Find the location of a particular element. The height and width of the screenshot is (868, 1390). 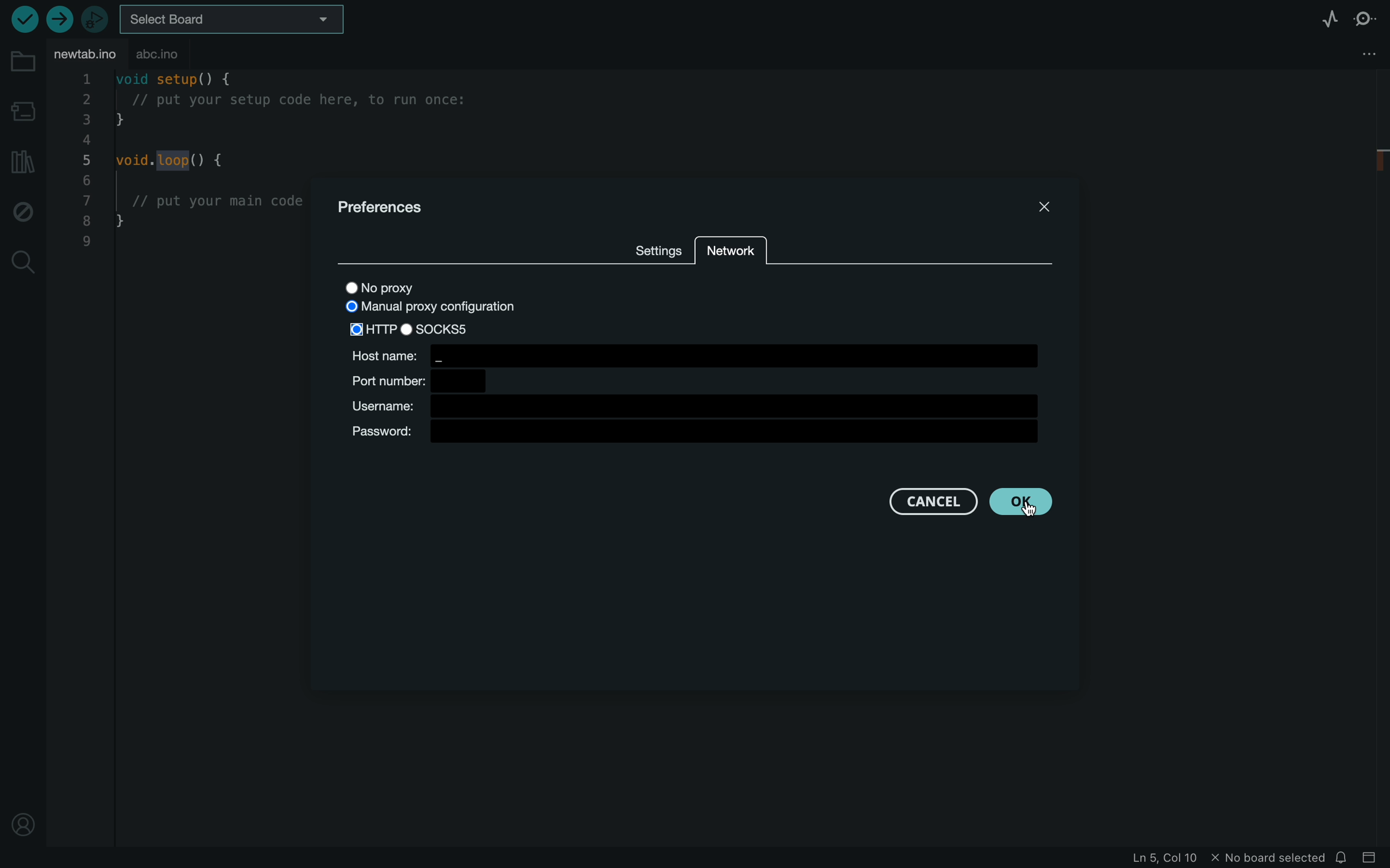

board manager is located at coordinates (22, 110).